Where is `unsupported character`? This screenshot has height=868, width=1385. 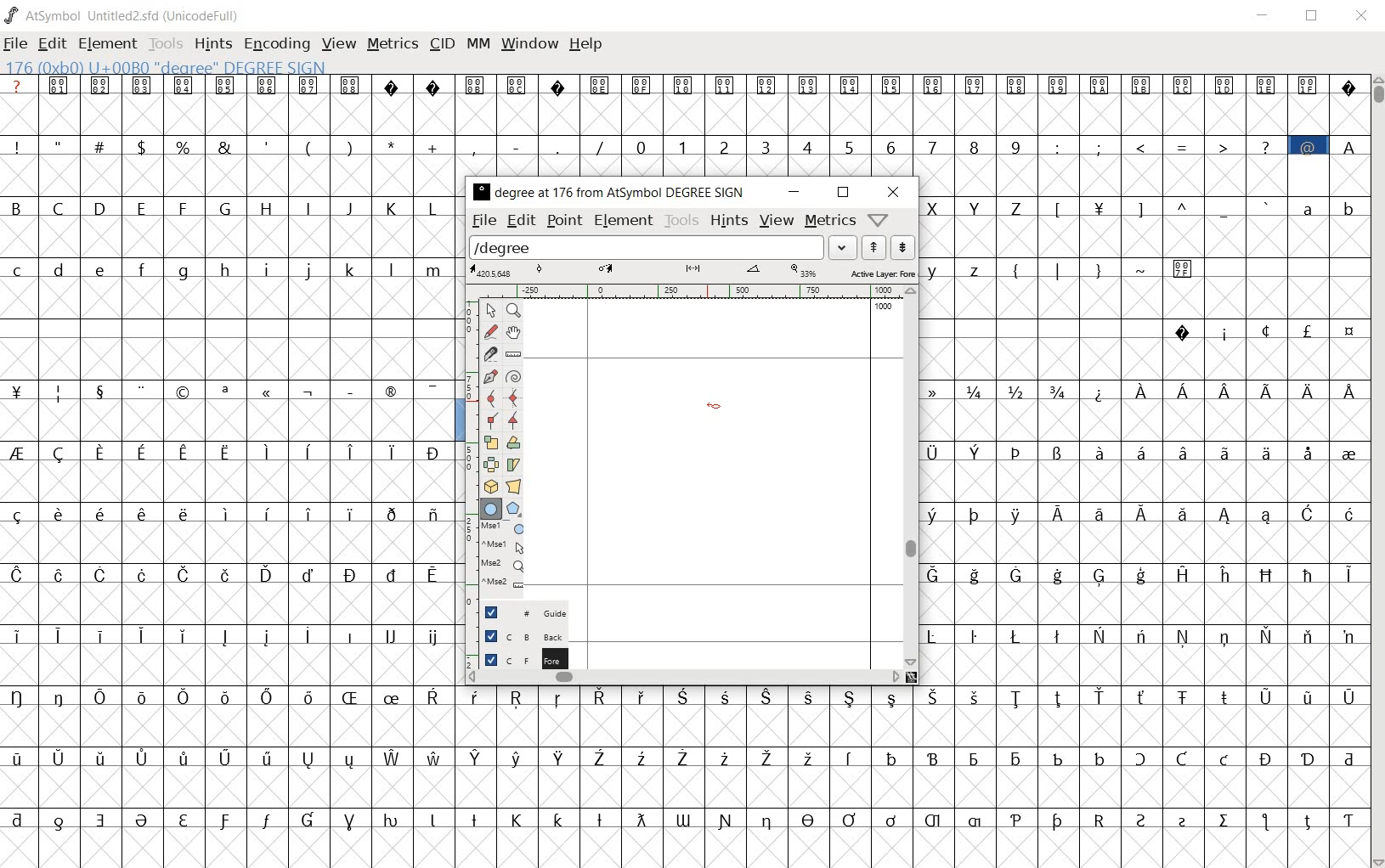
unsupported character is located at coordinates (559, 84).